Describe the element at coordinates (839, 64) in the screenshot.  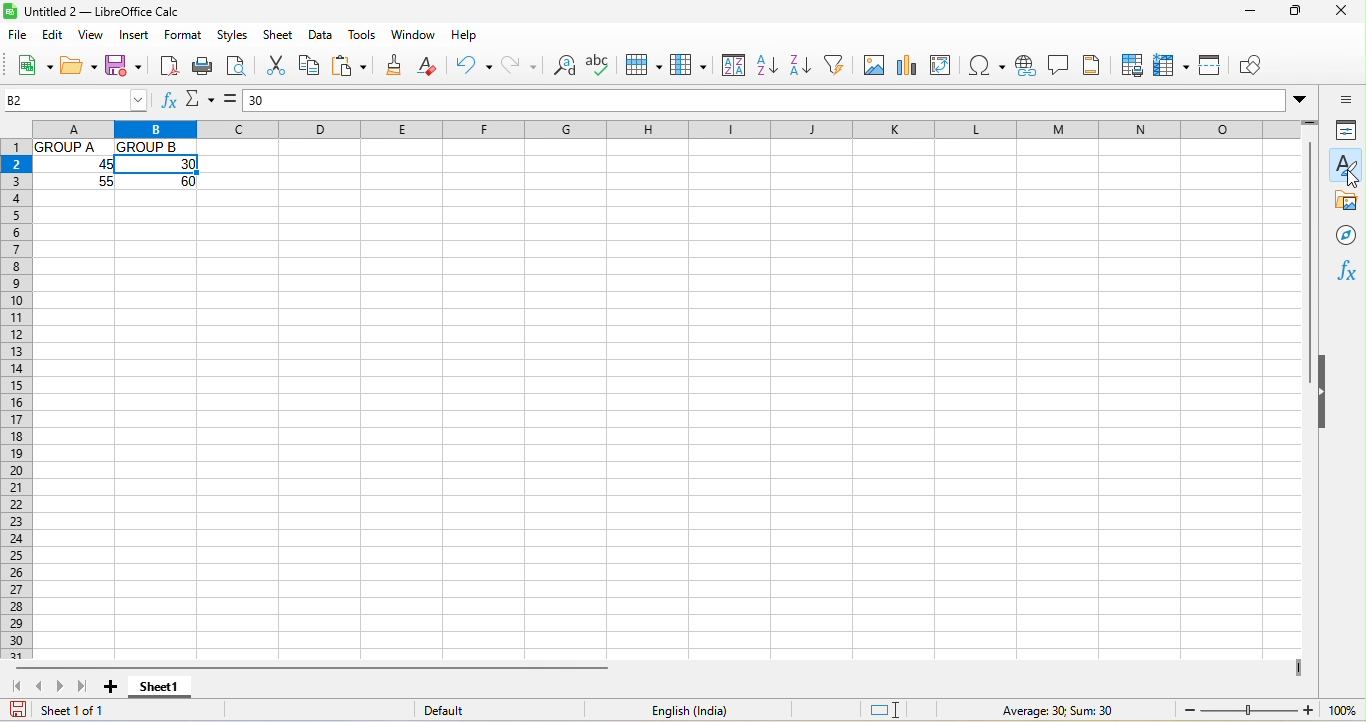
I see `auto filter` at that location.